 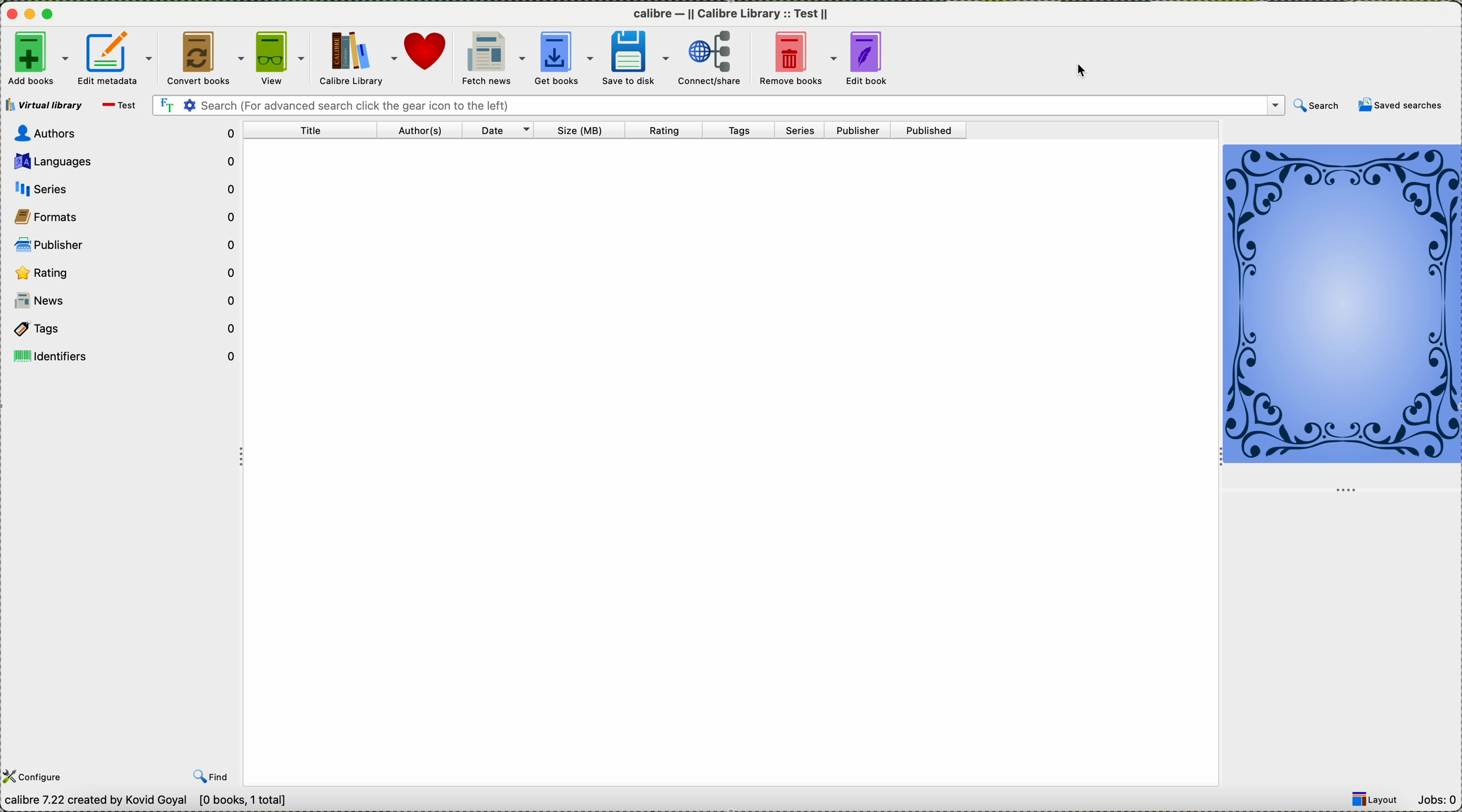 What do you see at coordinates (938, 131) in the screenshot?
I see `published` at bounding box center [938, 131].